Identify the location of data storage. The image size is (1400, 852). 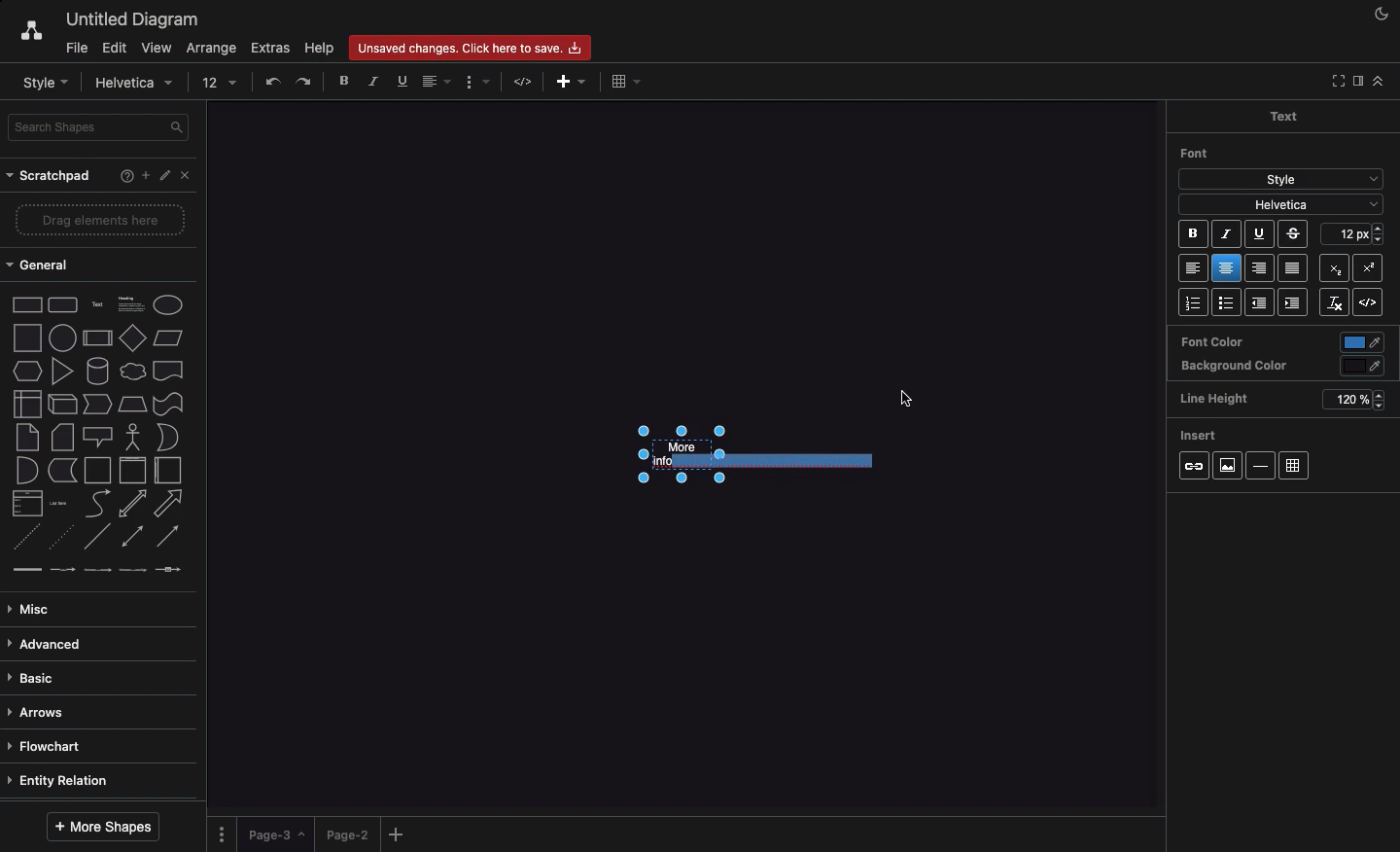
(63, 471).